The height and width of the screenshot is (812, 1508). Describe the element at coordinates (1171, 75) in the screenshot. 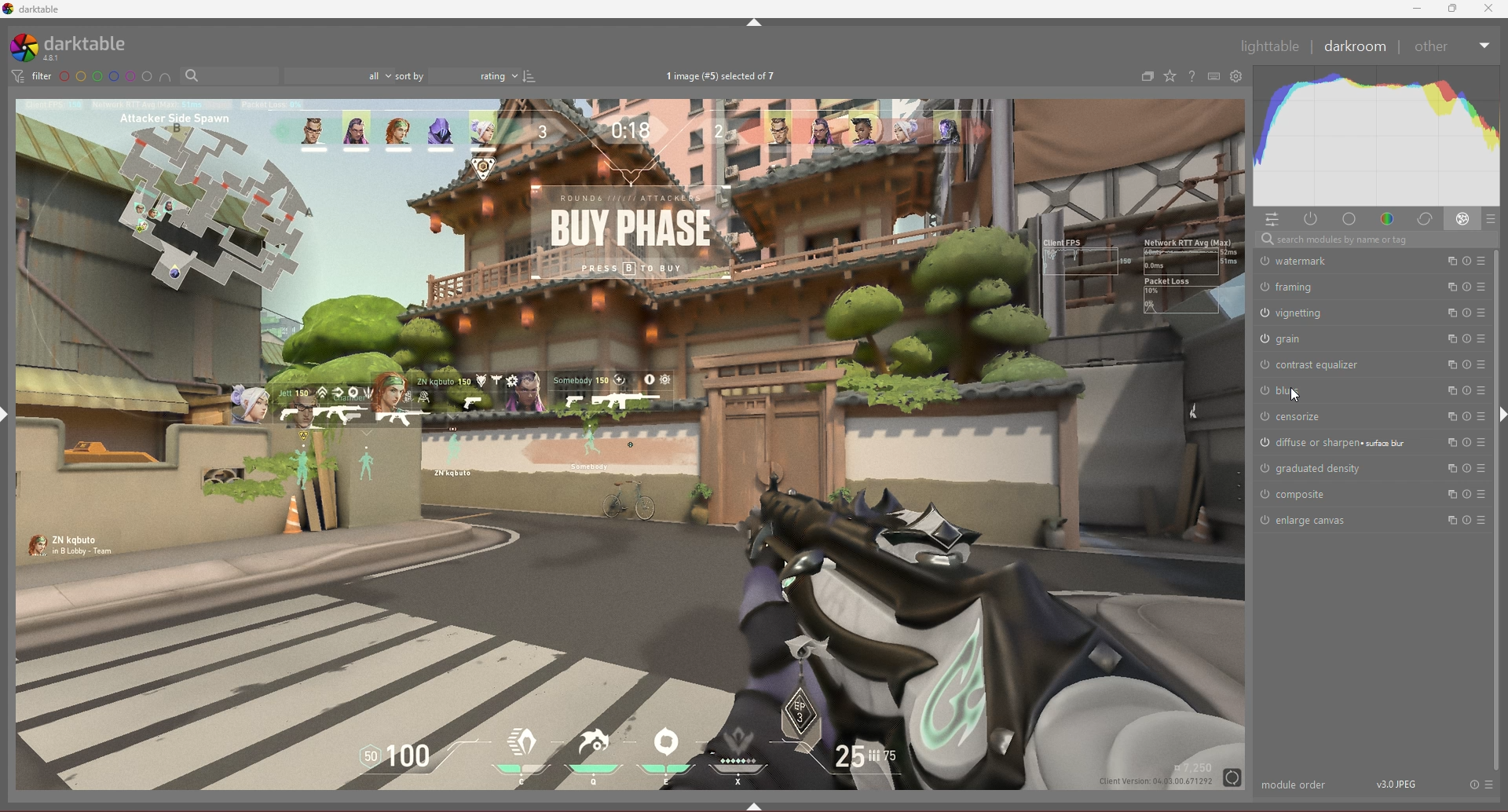

I see `change type of overlays` at that location.